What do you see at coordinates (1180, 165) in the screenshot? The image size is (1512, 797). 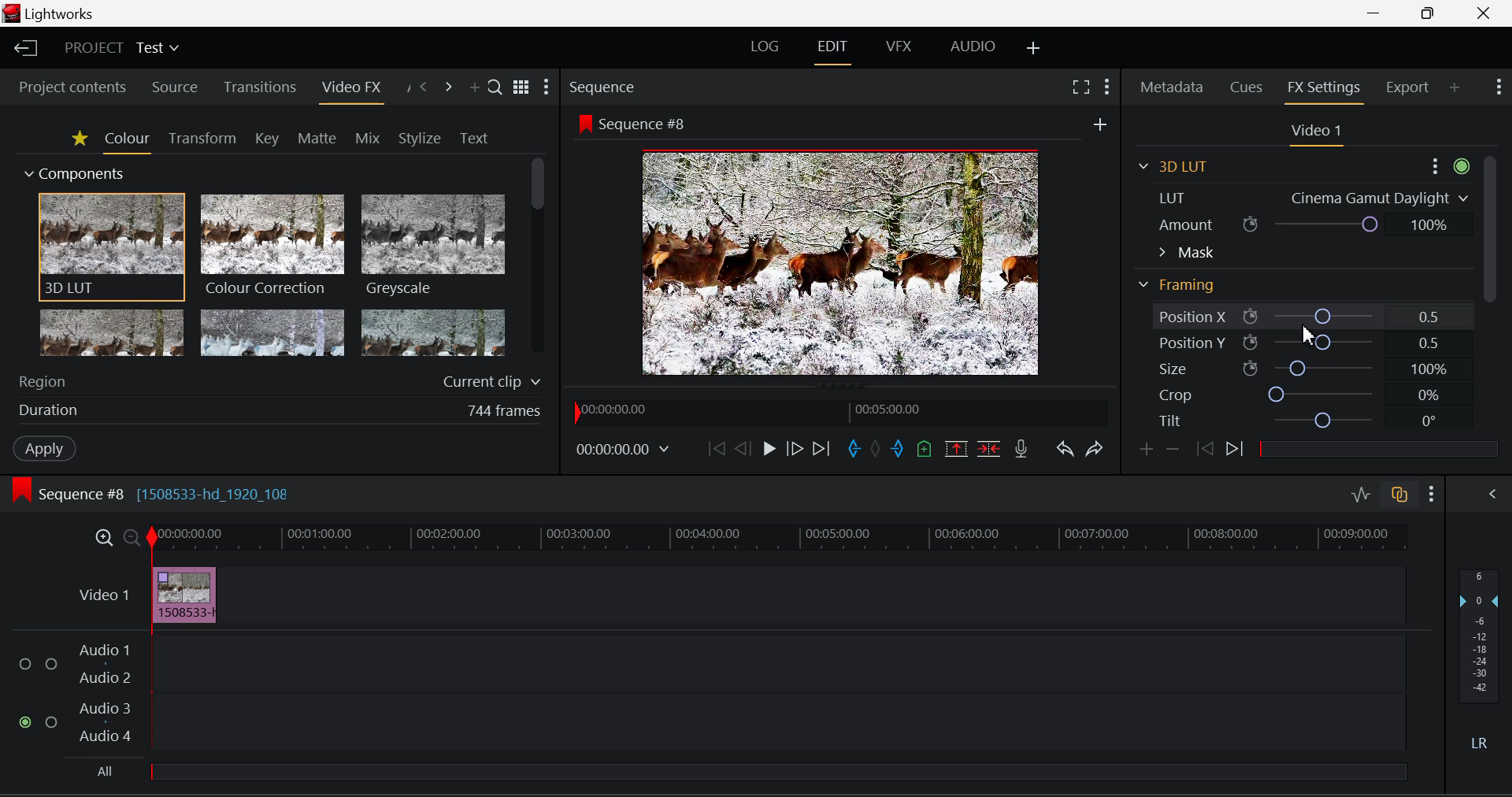 I see `3D LUT Section` at bounding box center [1180, 165].